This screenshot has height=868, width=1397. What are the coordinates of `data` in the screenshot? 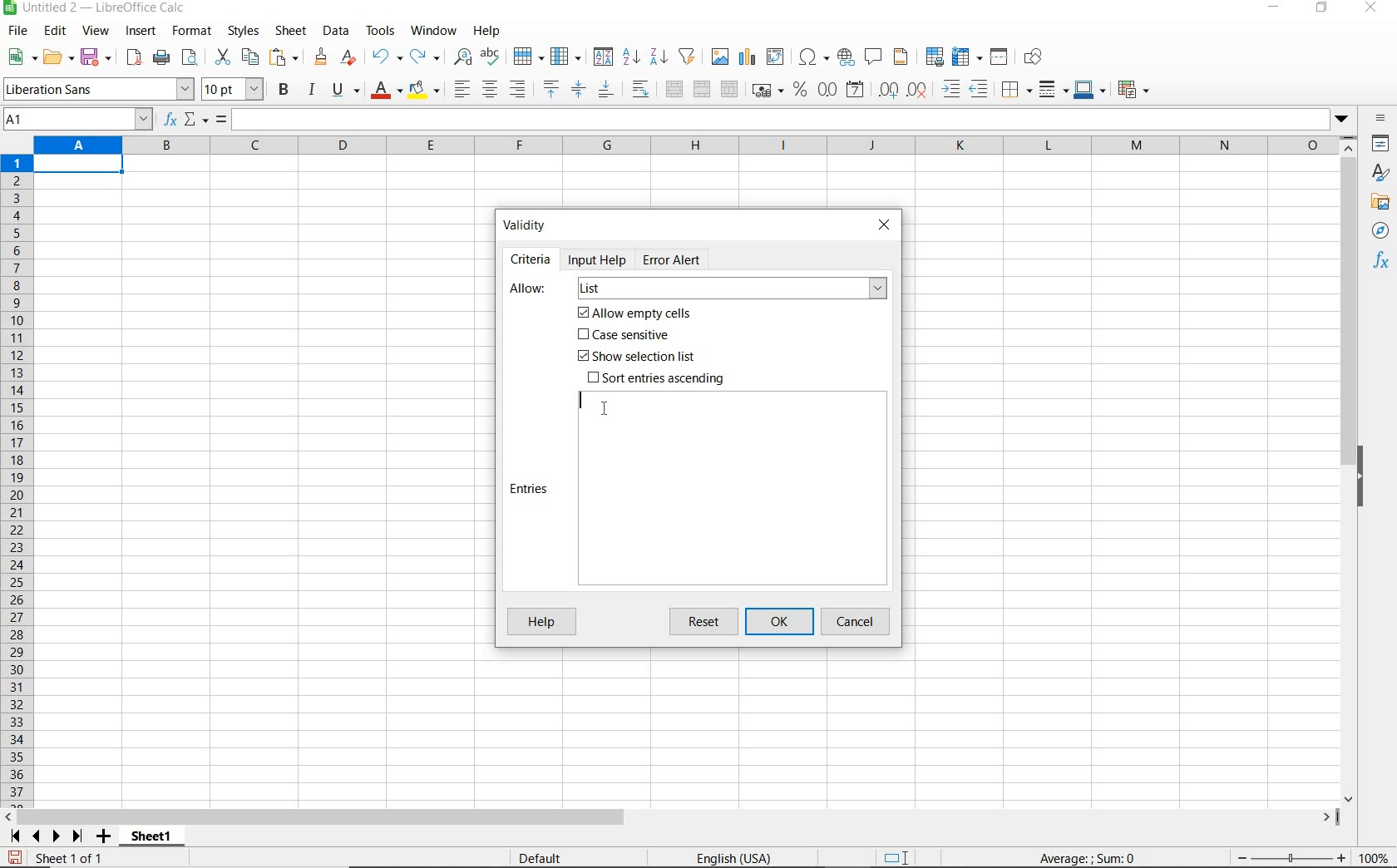 It's located at (335, 30).